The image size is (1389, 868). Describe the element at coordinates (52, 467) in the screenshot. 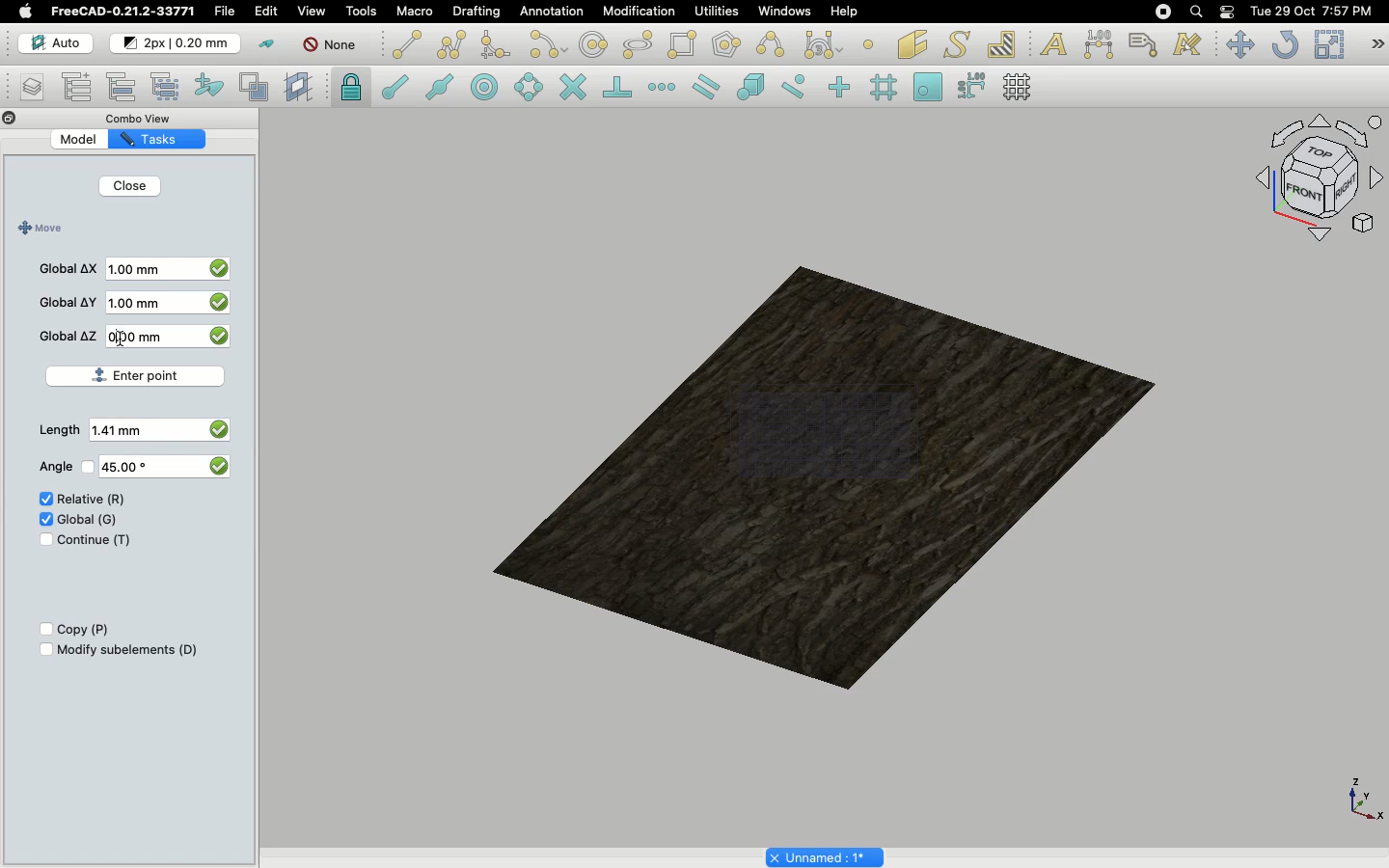

I see `Angle` at that location.